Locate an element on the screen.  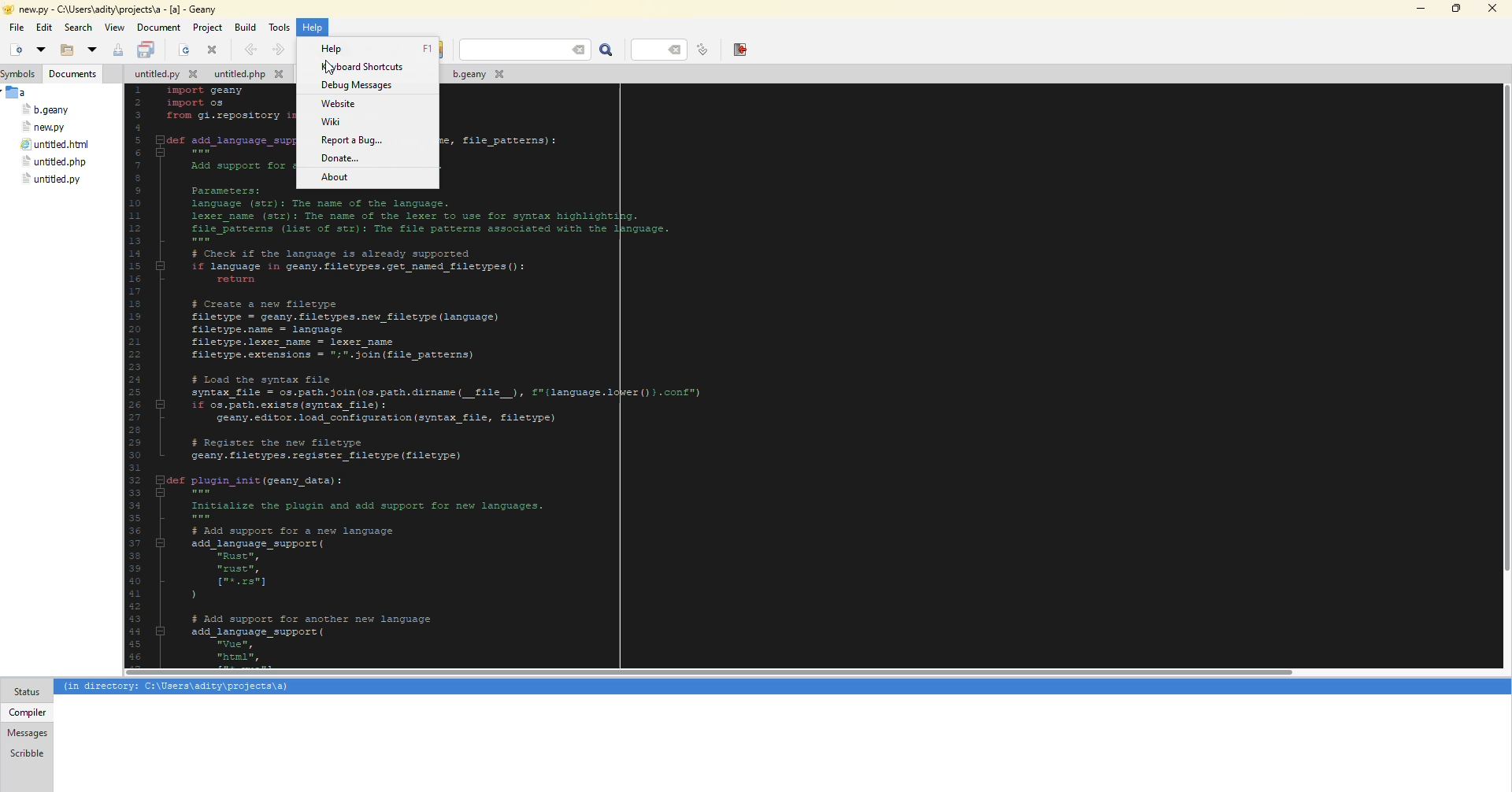
symbols is located at coordinates (22, 74).